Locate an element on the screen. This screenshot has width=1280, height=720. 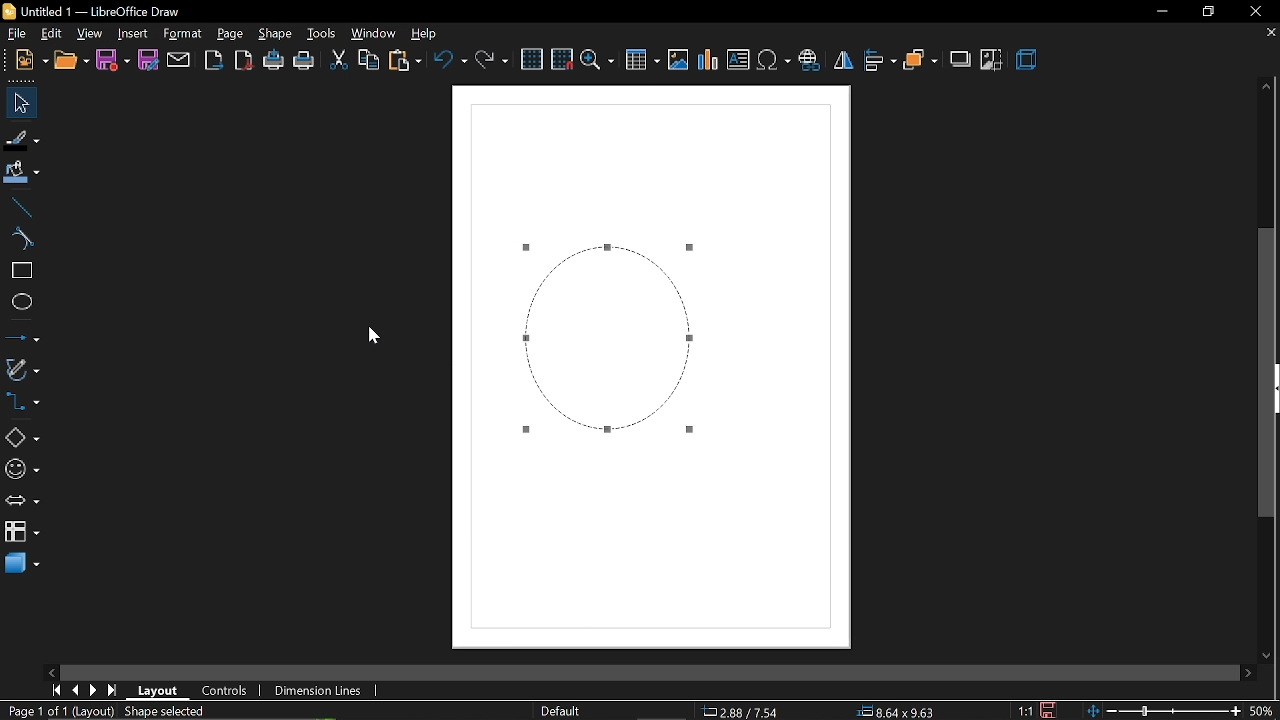
dimension lines is located at coordinates (318, 689).